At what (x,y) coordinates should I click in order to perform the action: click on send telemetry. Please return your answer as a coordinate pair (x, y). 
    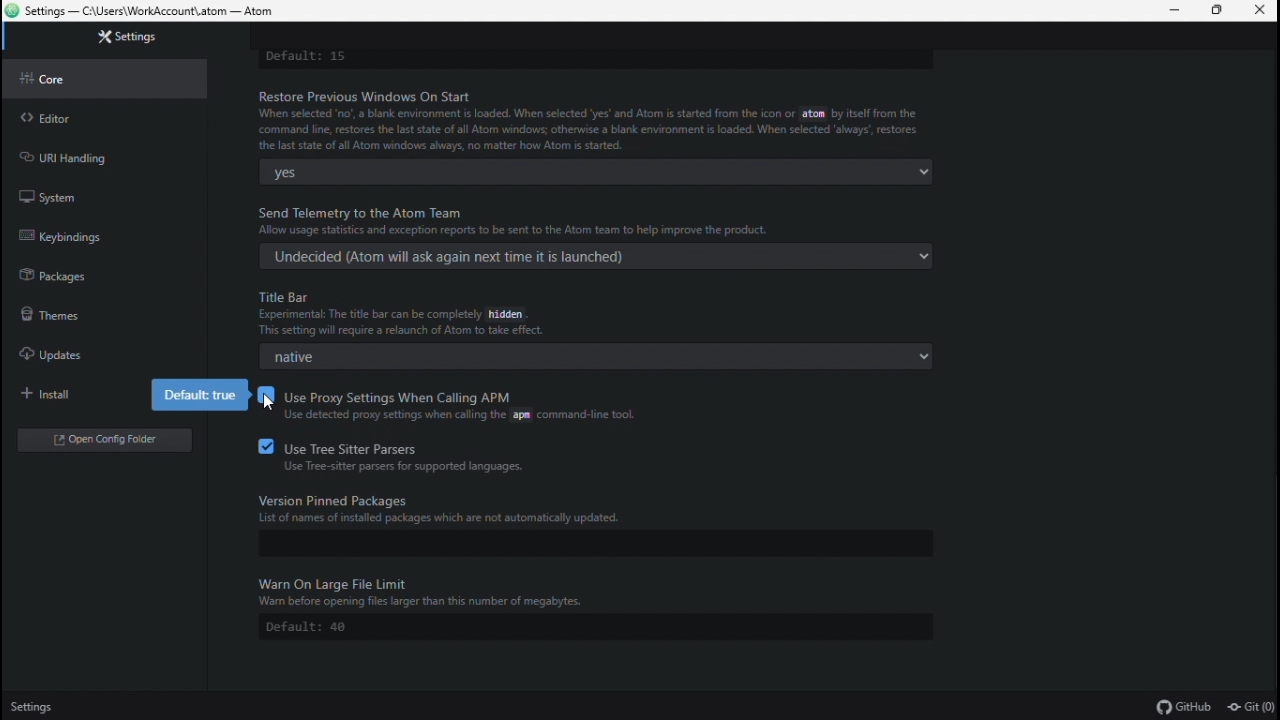
    Looking at the image, I should click on (603, 220).